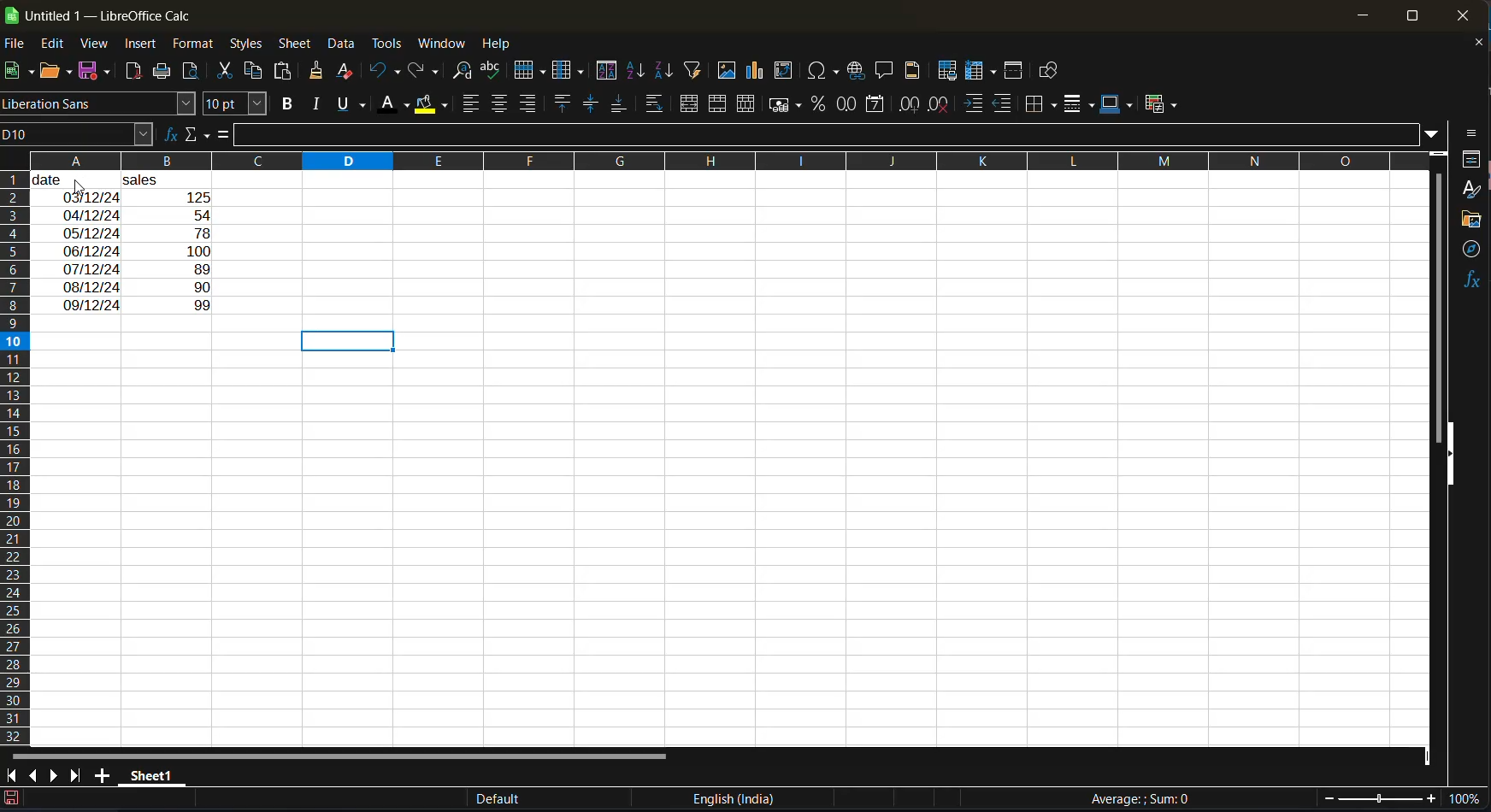 This screenshot has width=1491, height=812. Describe the element at coordinates (505, 44) in the screenshot. I see `help` at that location.